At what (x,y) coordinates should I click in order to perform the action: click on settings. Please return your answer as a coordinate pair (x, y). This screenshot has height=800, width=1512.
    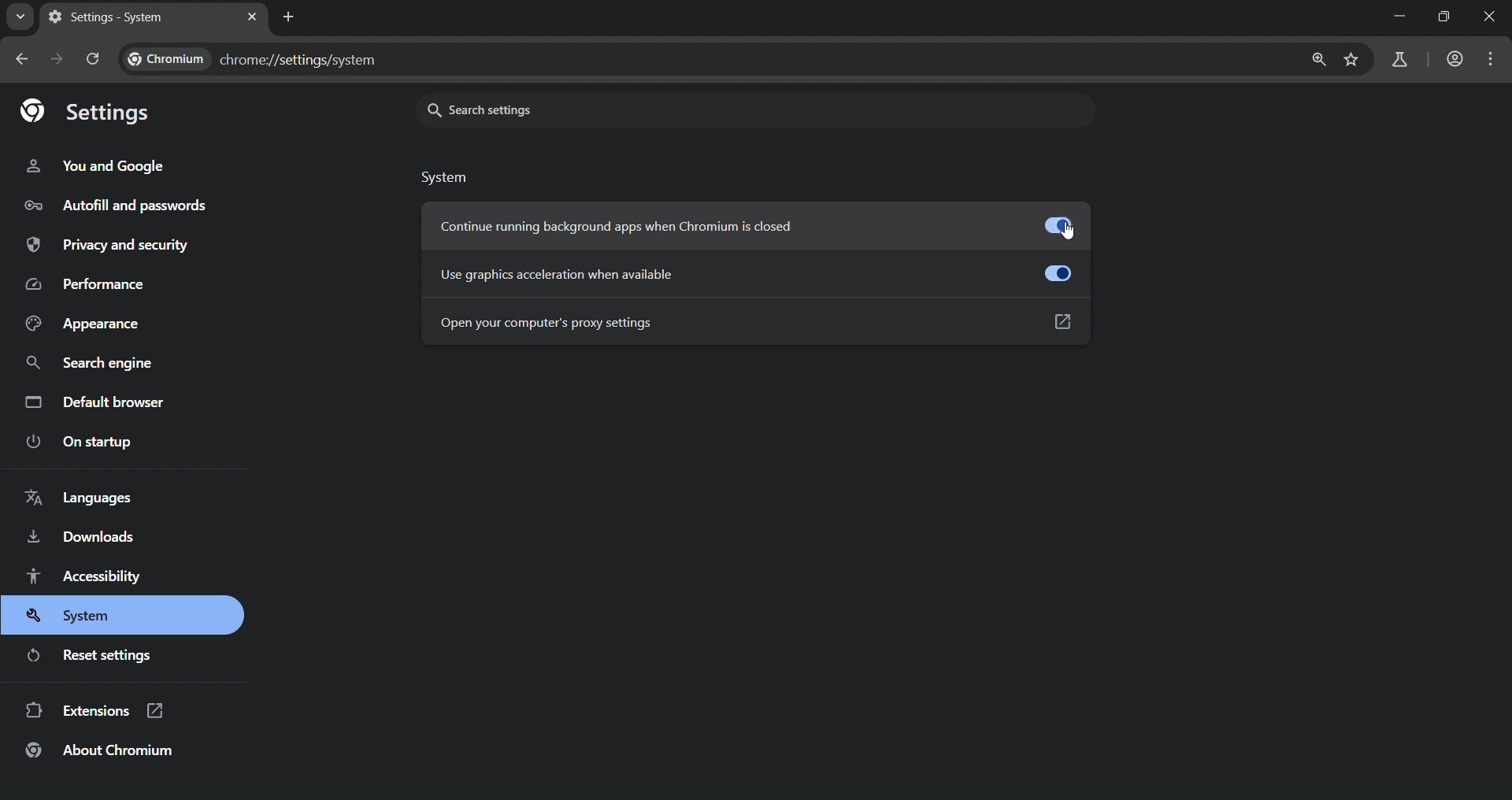
    Looking at the image, I should click on (91, 112).